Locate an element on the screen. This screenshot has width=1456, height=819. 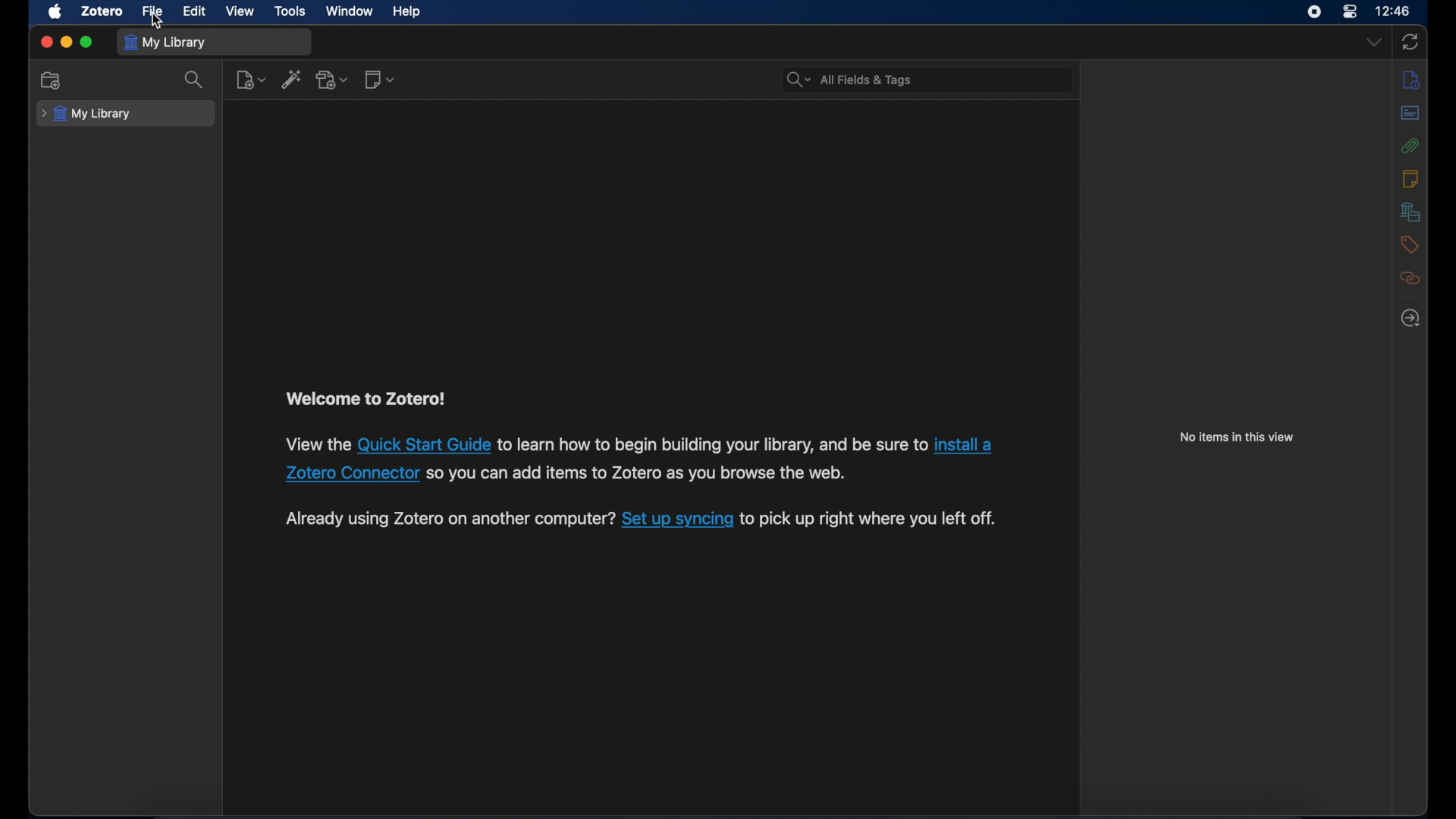
no items in this view is located at coordinates (1237, 437).